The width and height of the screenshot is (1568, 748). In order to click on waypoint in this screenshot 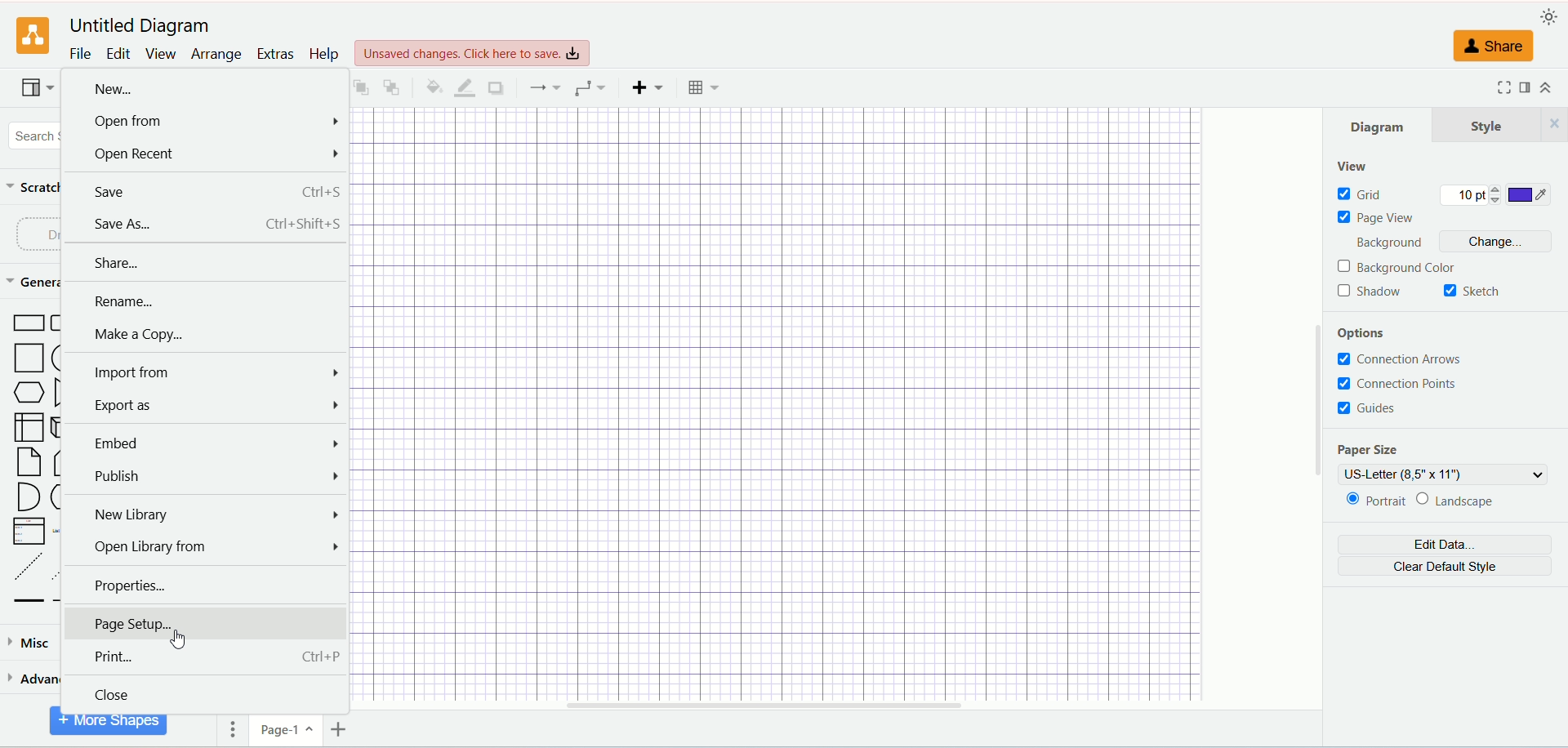, I will do `click(544, 87)`.